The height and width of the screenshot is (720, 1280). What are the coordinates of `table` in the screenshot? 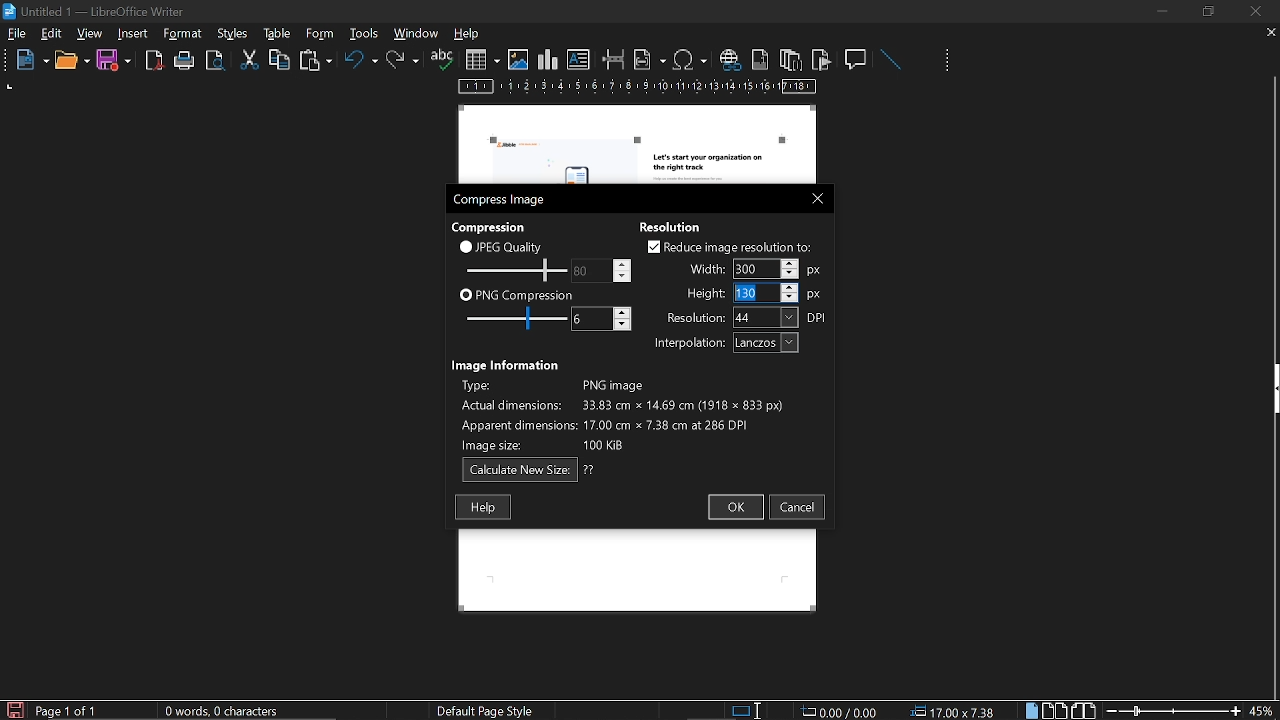 It's located at (319, 33).